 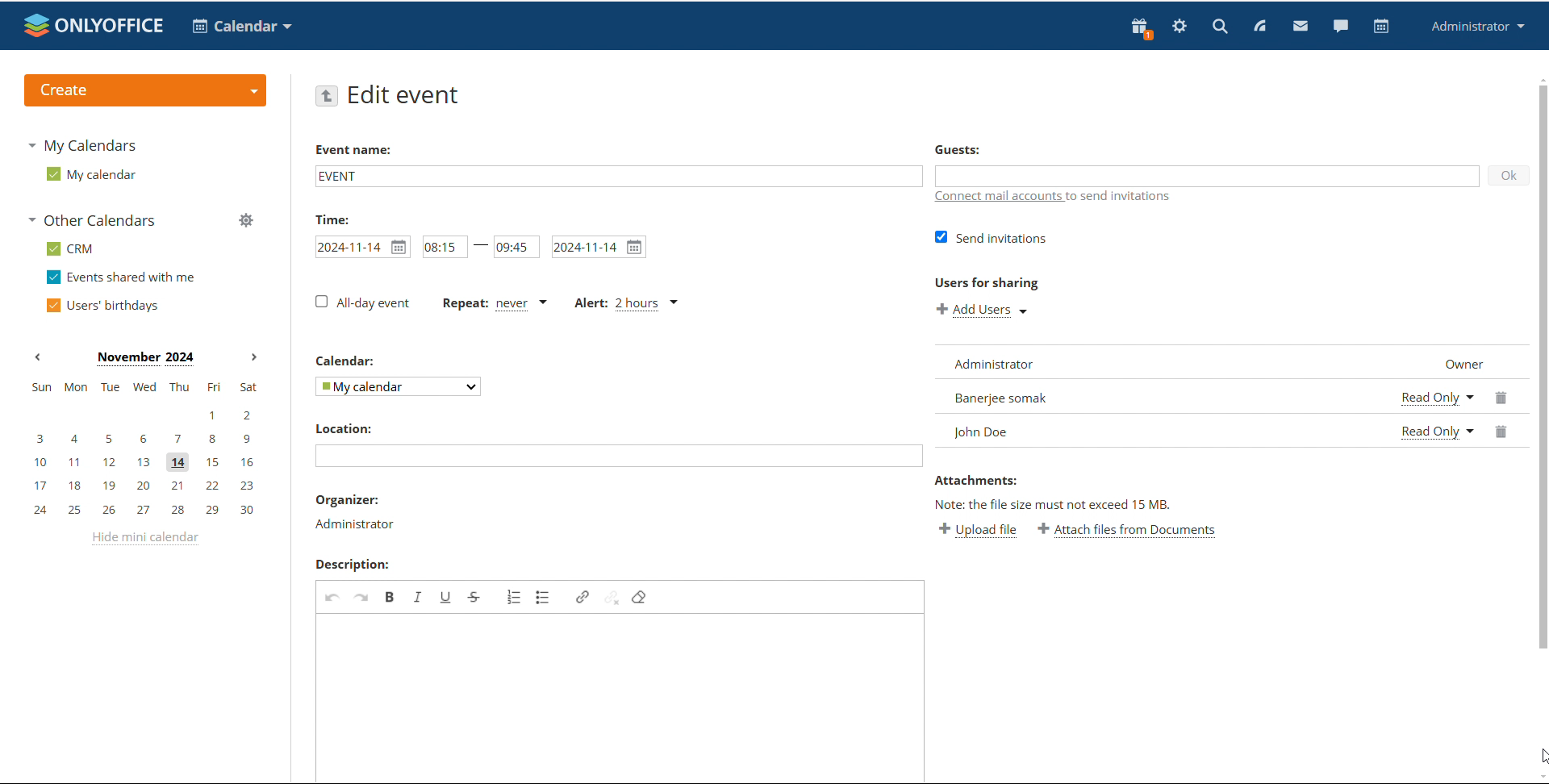 What do you see at coordinates (419, 596) in the screenshot?
I see `italic` at bounding box center [419, 596].